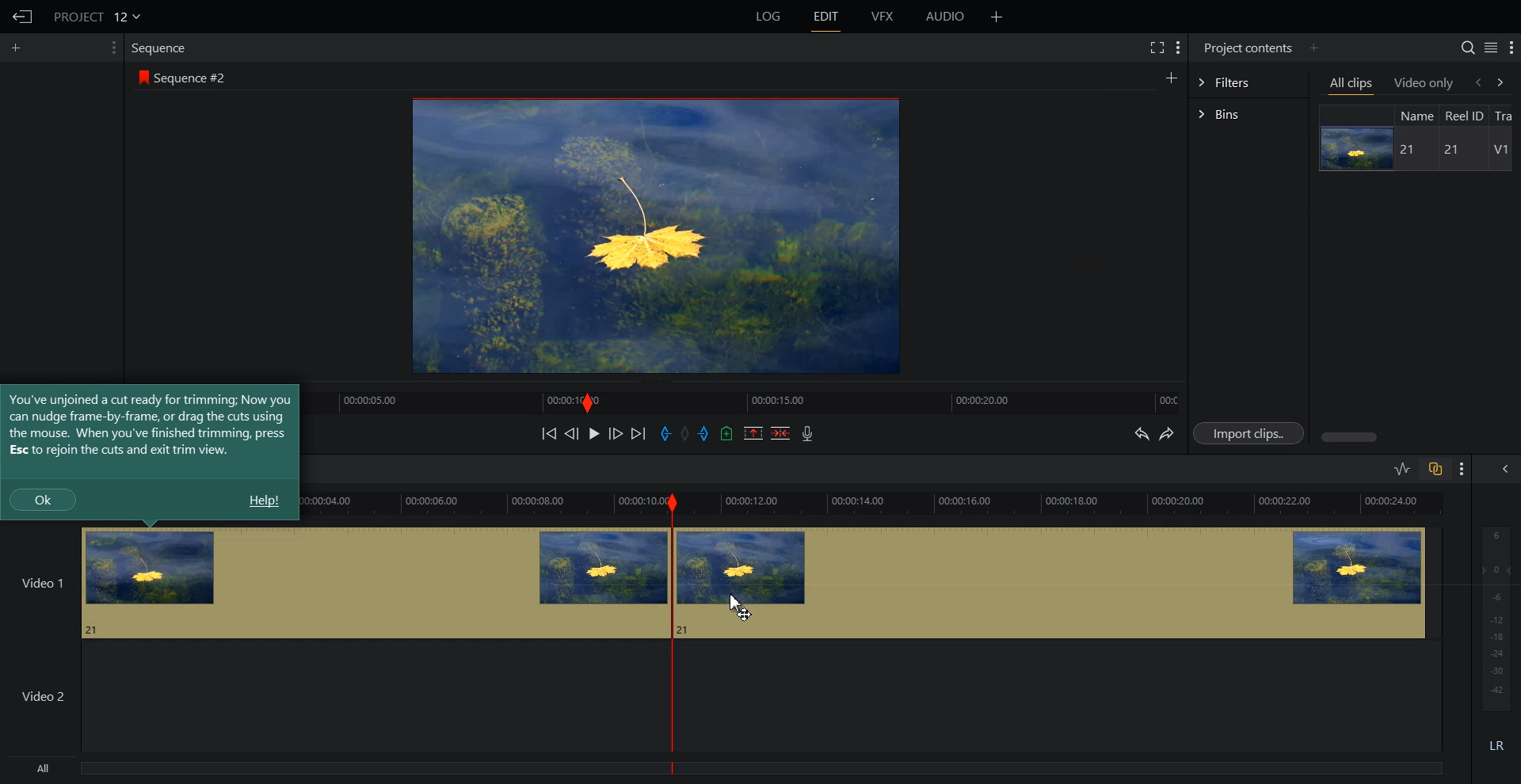  What do you see at coordinates (883, 17) in the screenshot?
I see `VFX` at bounding box center [883, 17].